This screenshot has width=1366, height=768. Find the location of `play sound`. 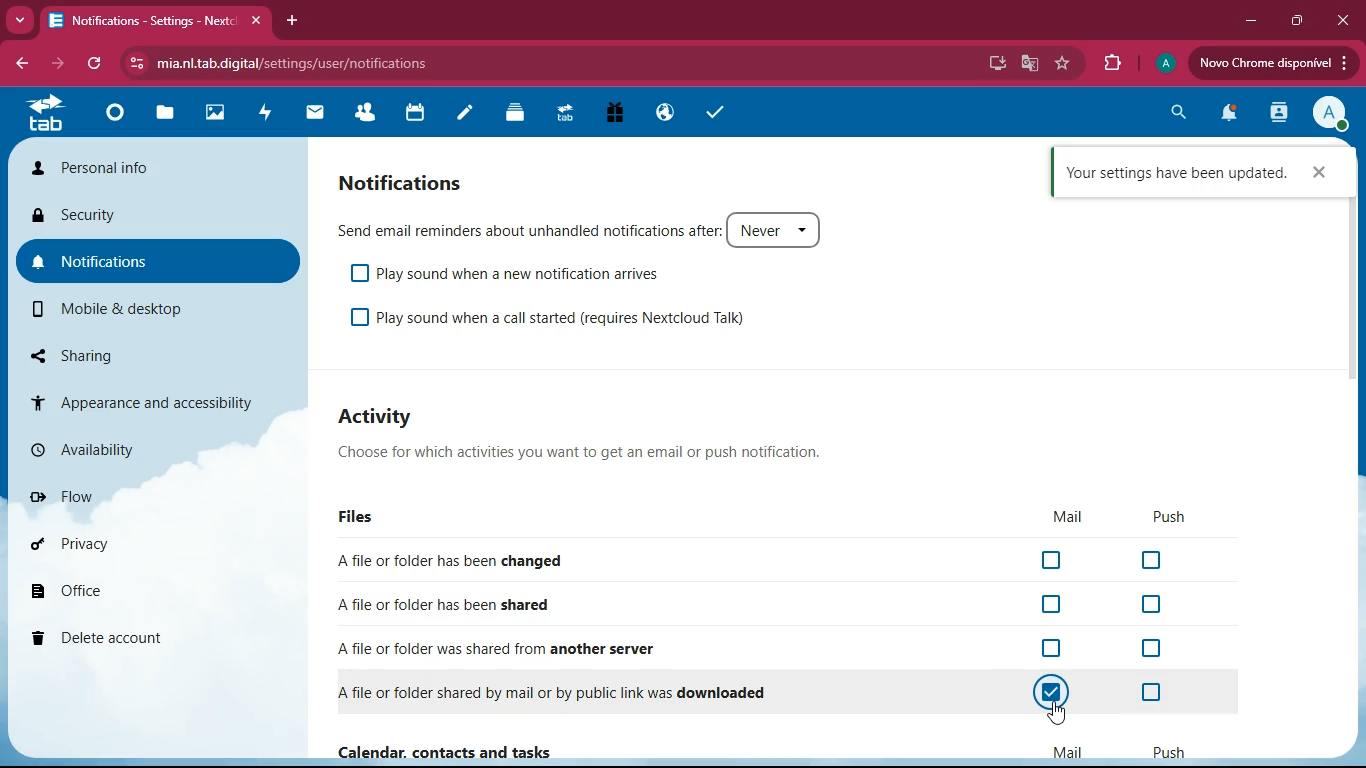

play sound is located at coordinates (511, 274).